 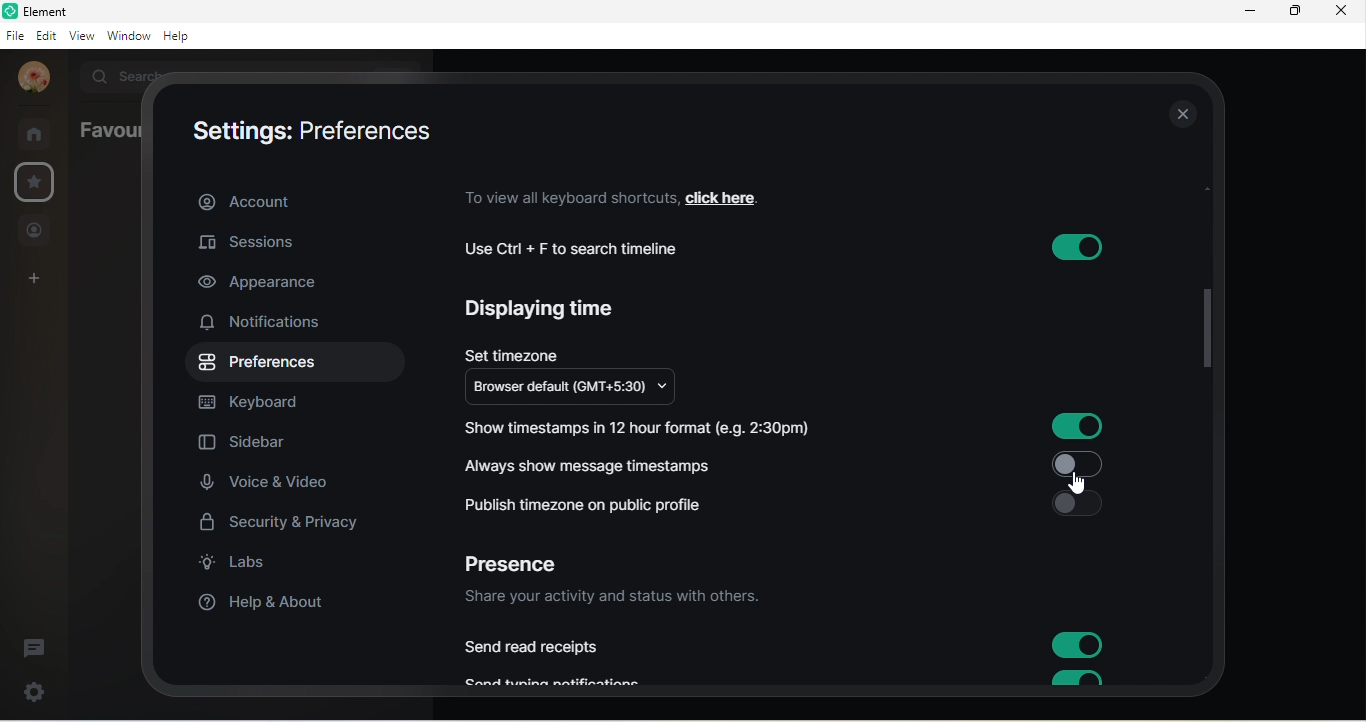 I want to click on view, so click(x=80, y=38).